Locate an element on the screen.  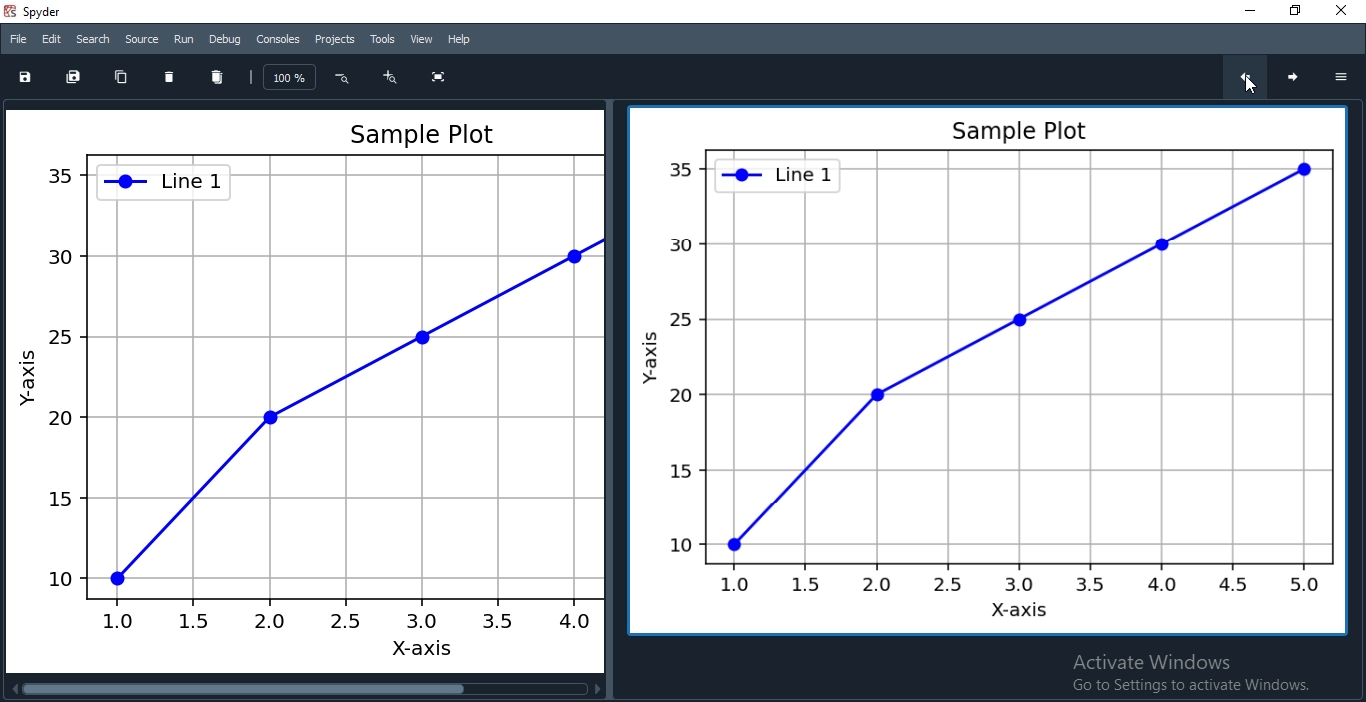
delete is located at coordinates (169, 76).